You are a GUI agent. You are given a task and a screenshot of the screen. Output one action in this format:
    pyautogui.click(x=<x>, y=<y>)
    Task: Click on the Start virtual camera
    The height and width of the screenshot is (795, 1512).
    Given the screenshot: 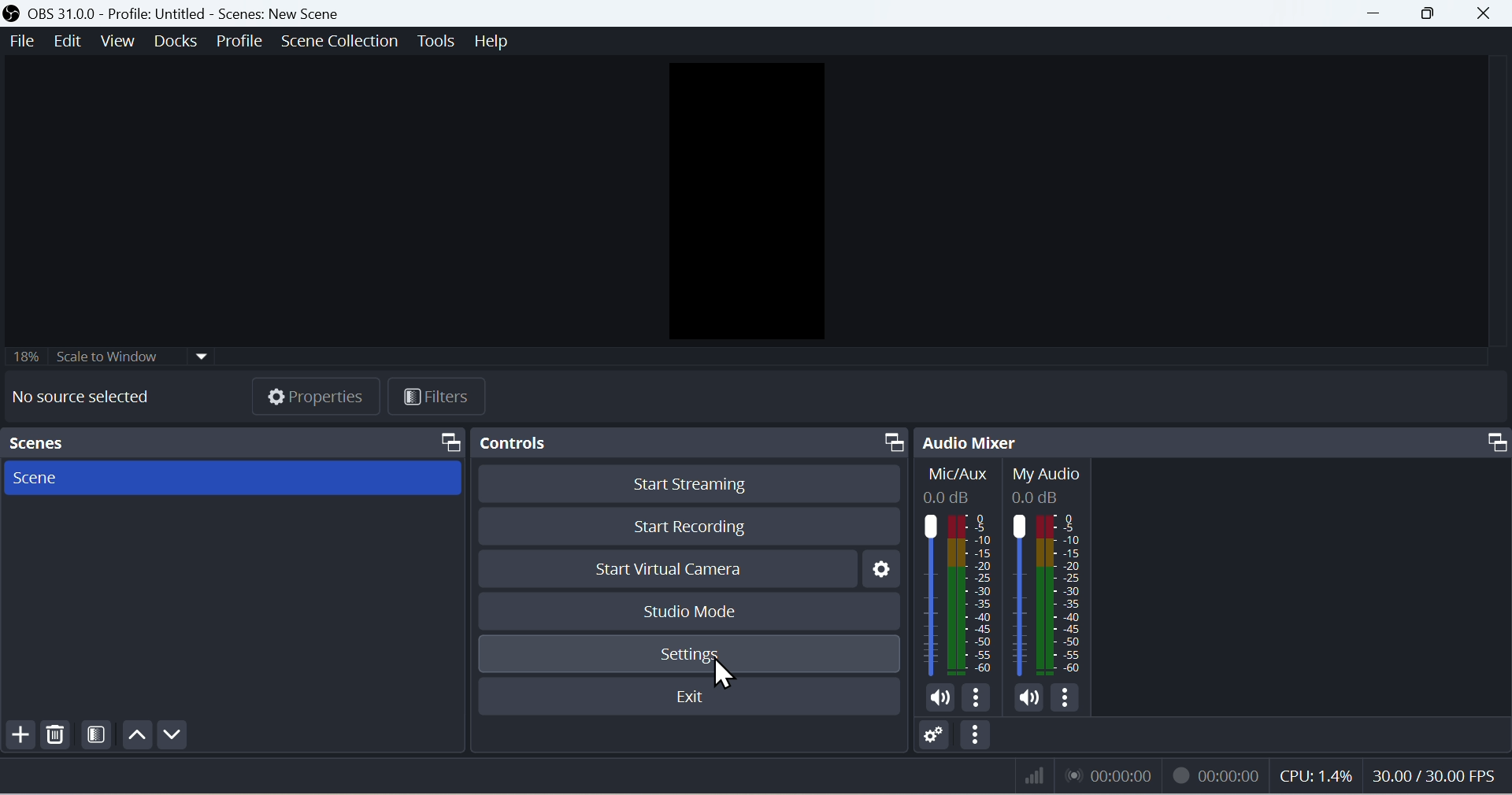 What is the action you would take?
    pyautogui.click(x=670, y=569)
    